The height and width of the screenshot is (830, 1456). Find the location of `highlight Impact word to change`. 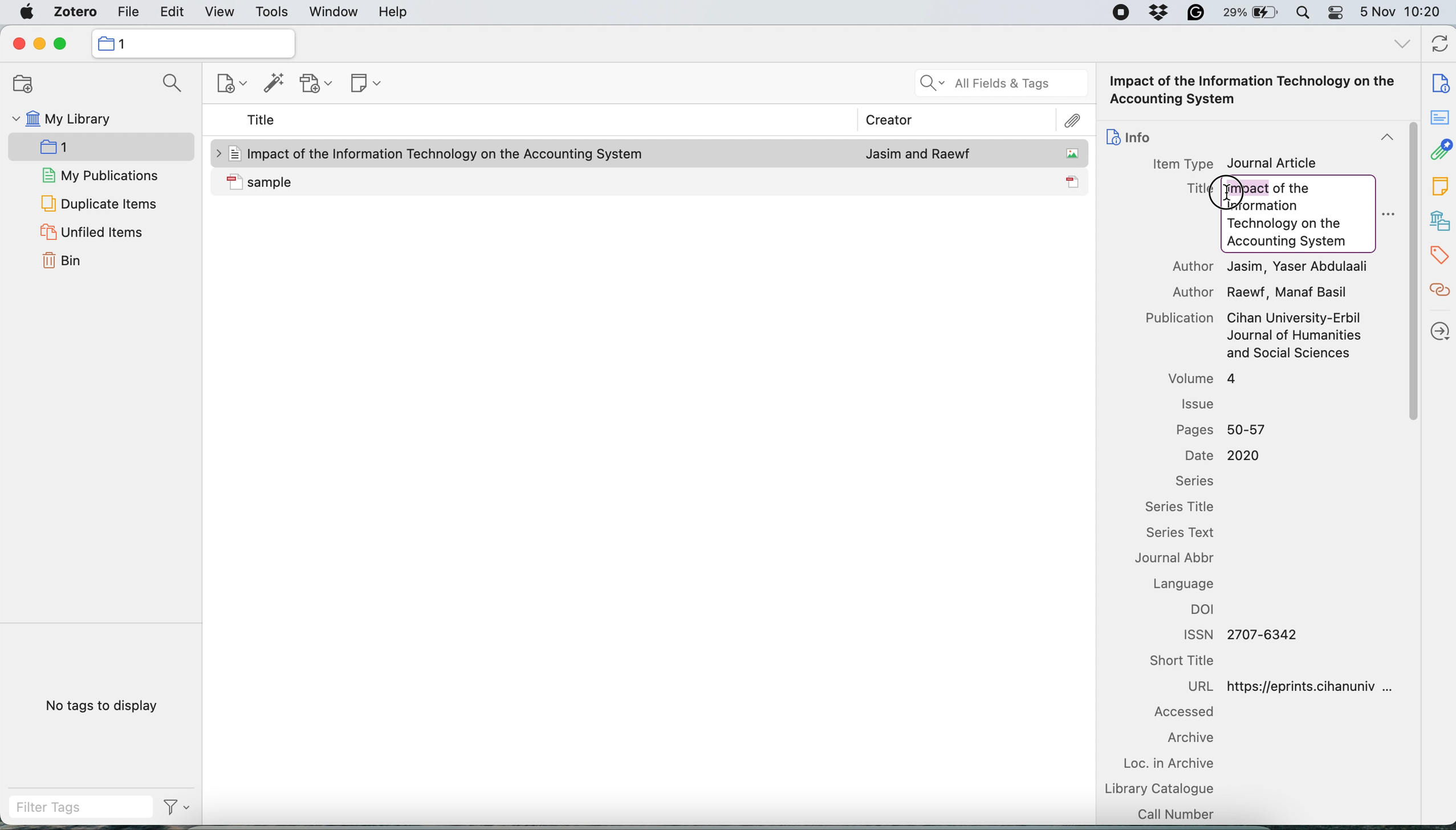

highlight Impact word to change is located at coordinates (1246, 187).